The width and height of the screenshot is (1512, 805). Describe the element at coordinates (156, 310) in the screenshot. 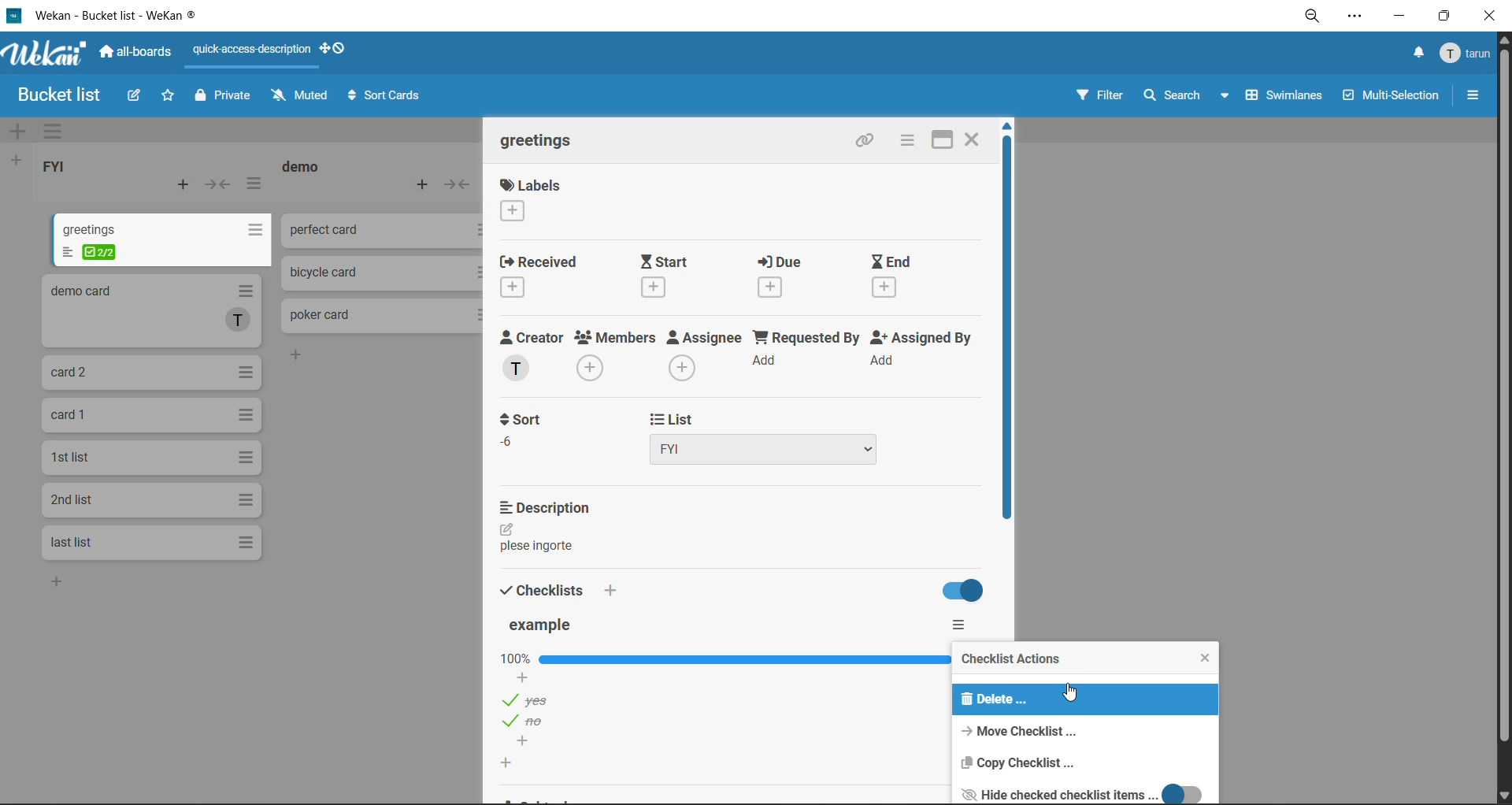

I see `cards` at that location.